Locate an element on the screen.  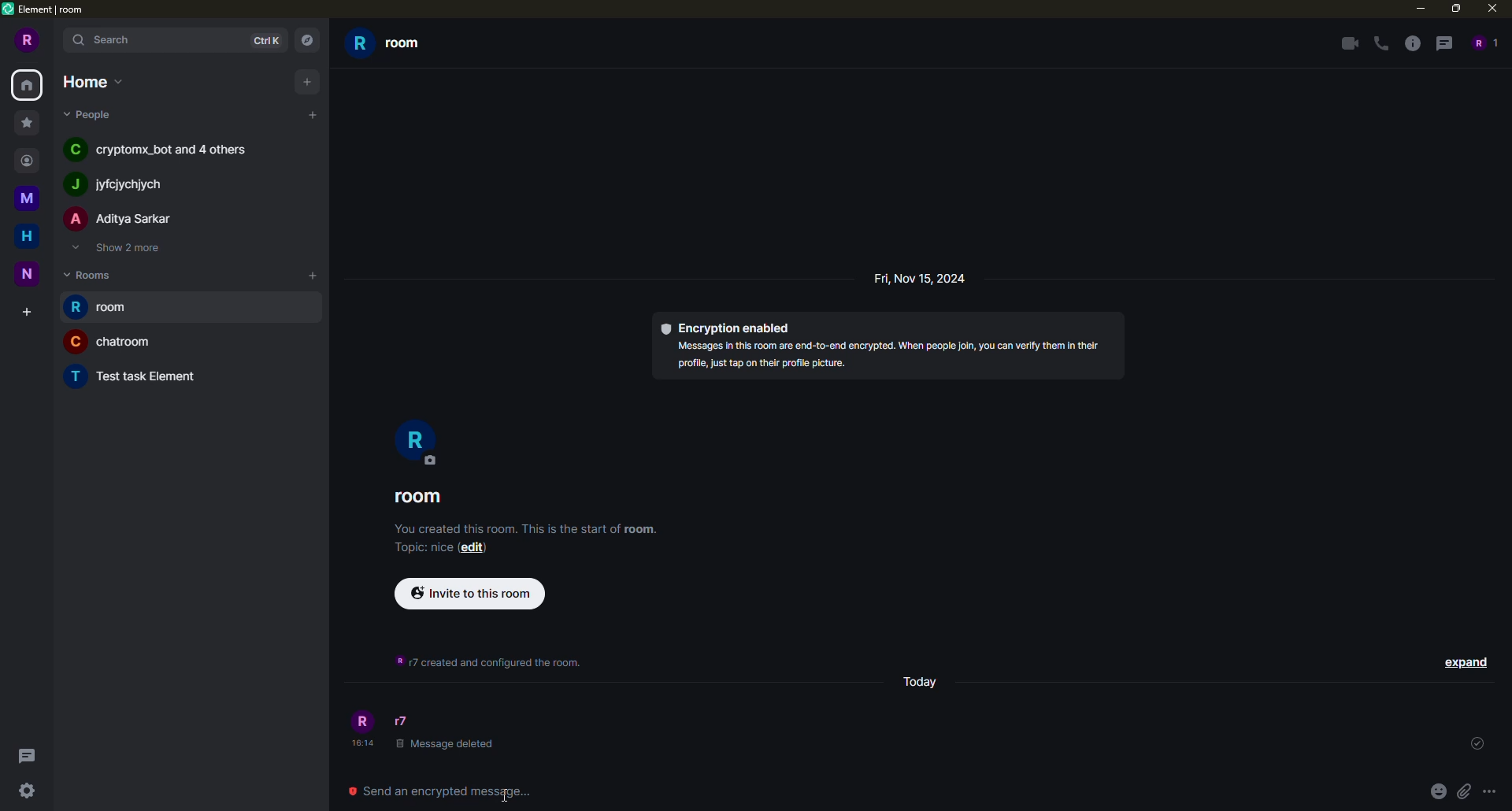
people is located at coordinates (121, 218).